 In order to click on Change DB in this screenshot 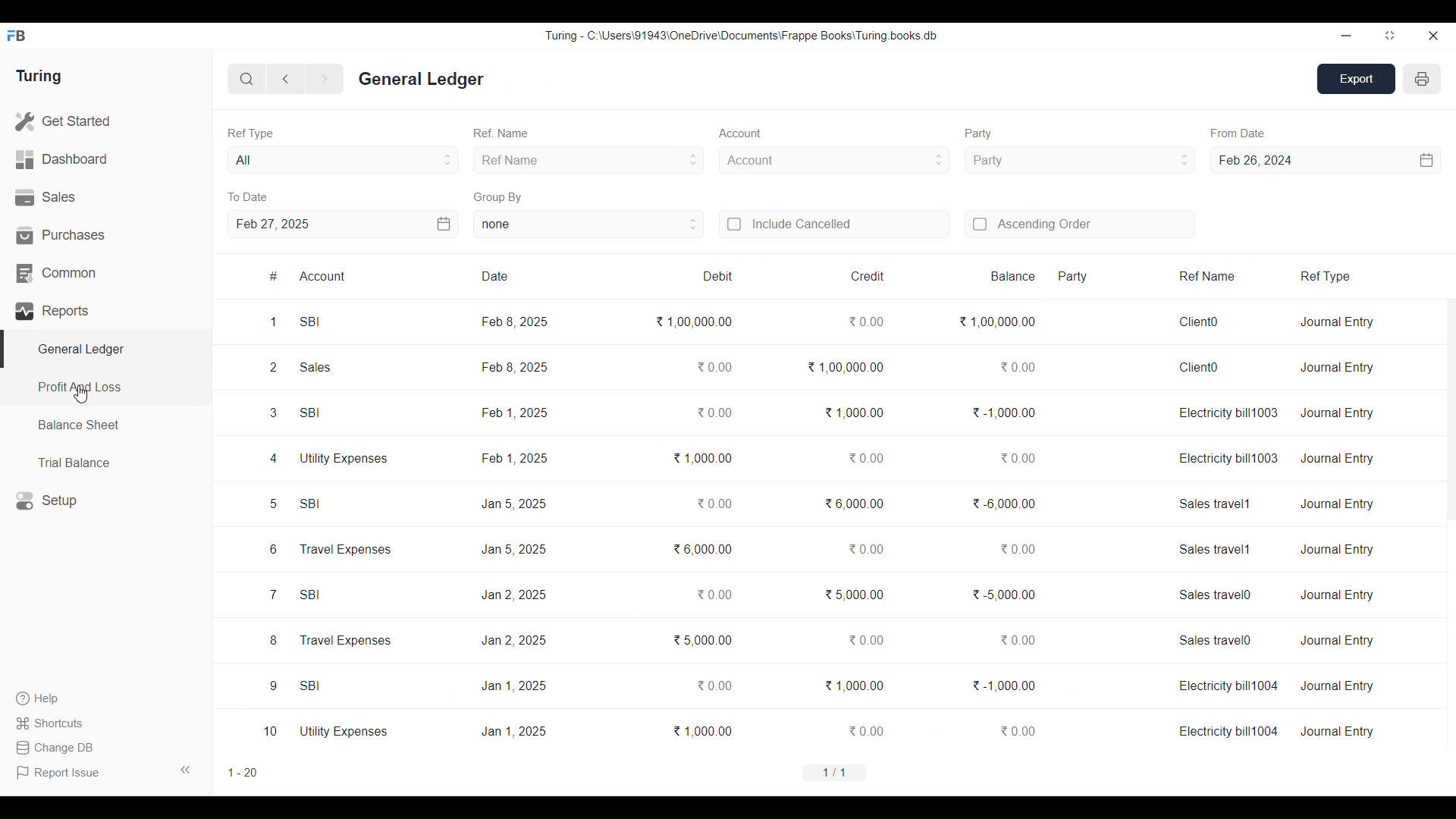, I will do `click(54, 748)`.